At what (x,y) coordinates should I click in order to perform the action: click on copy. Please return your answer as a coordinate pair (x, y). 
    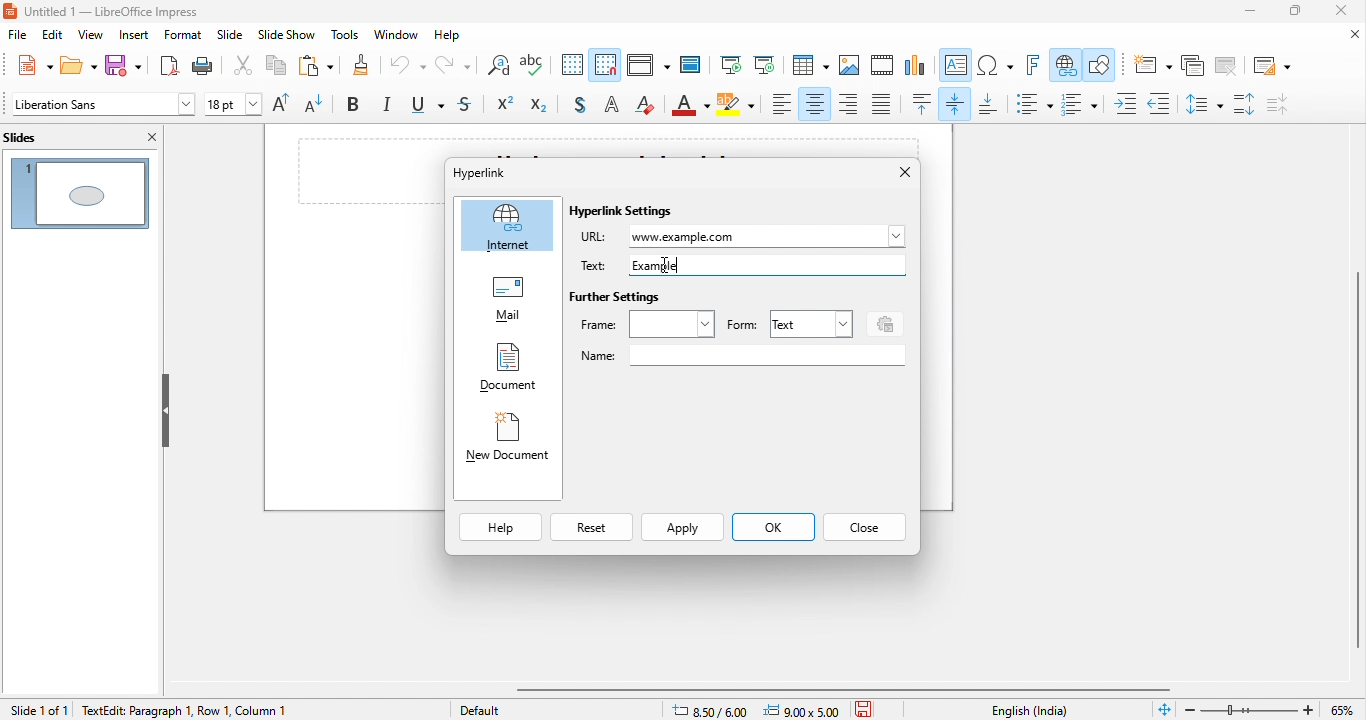
    Looking at the image, I should click on (273, 67).